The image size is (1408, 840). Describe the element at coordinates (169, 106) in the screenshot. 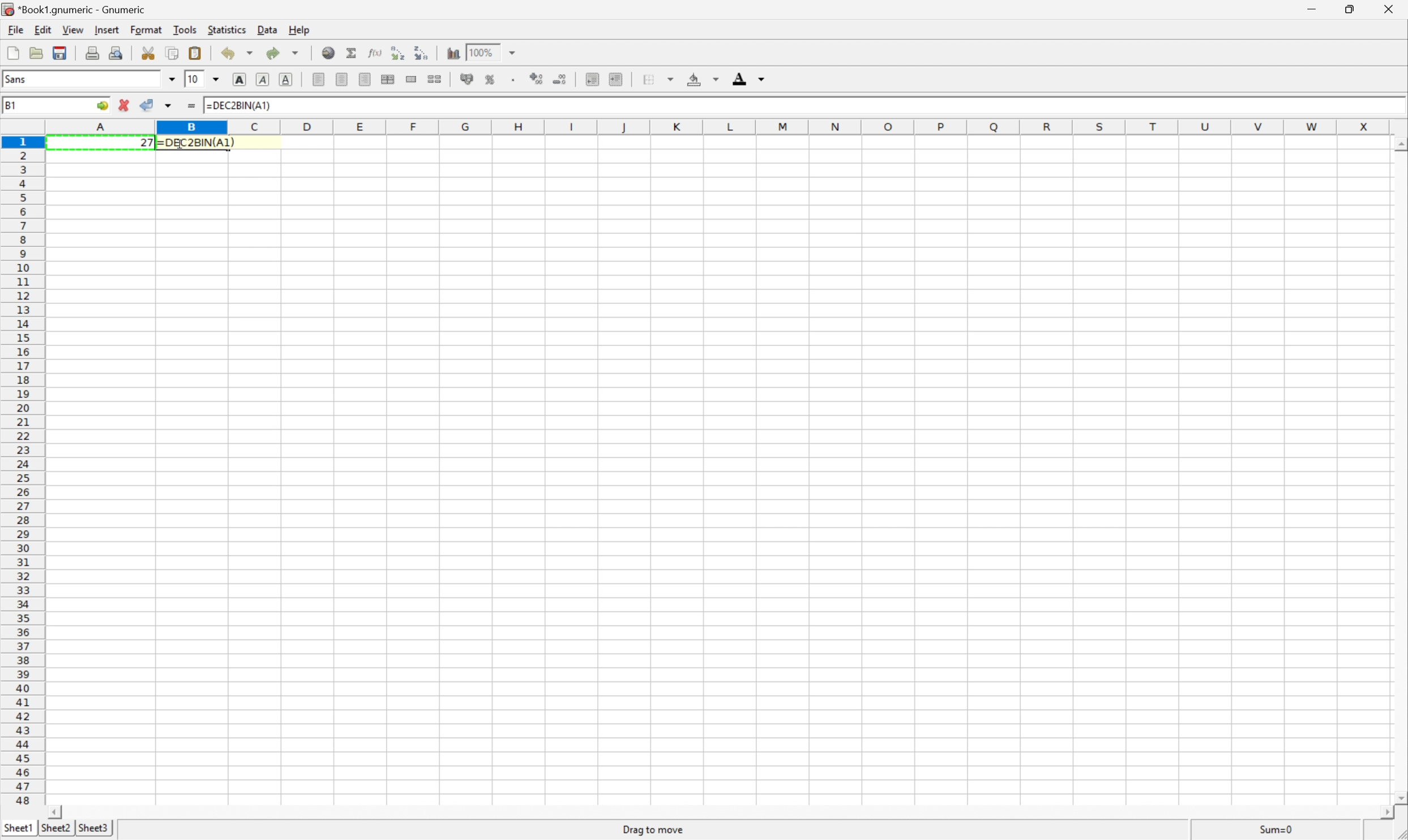

I see `Accept changes across multiple cells` at that location.